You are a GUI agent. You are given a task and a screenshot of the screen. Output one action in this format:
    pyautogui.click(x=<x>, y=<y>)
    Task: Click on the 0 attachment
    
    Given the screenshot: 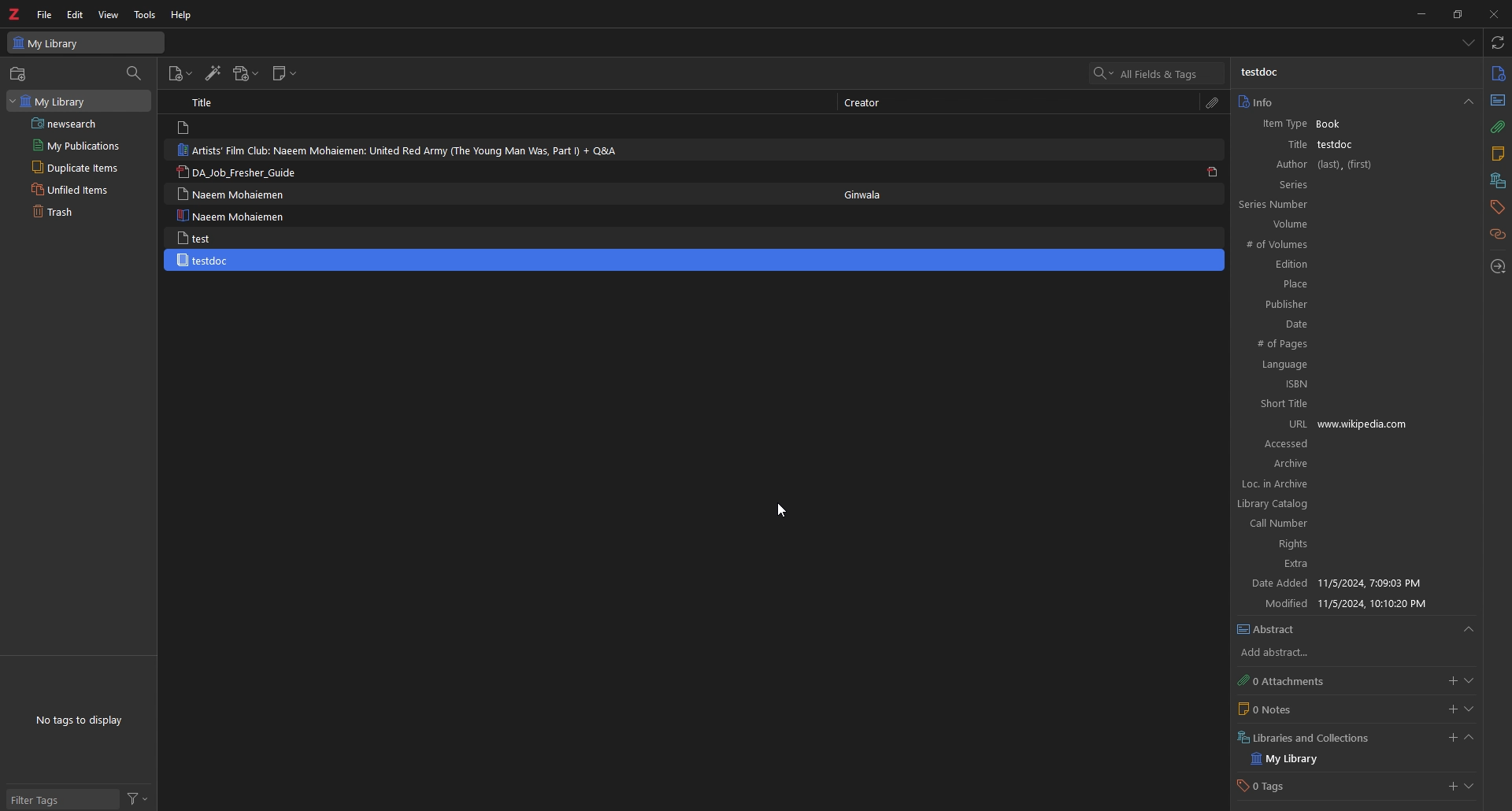 What is the action you would take?
    pyautogui.click(x=1288, y=682)
    